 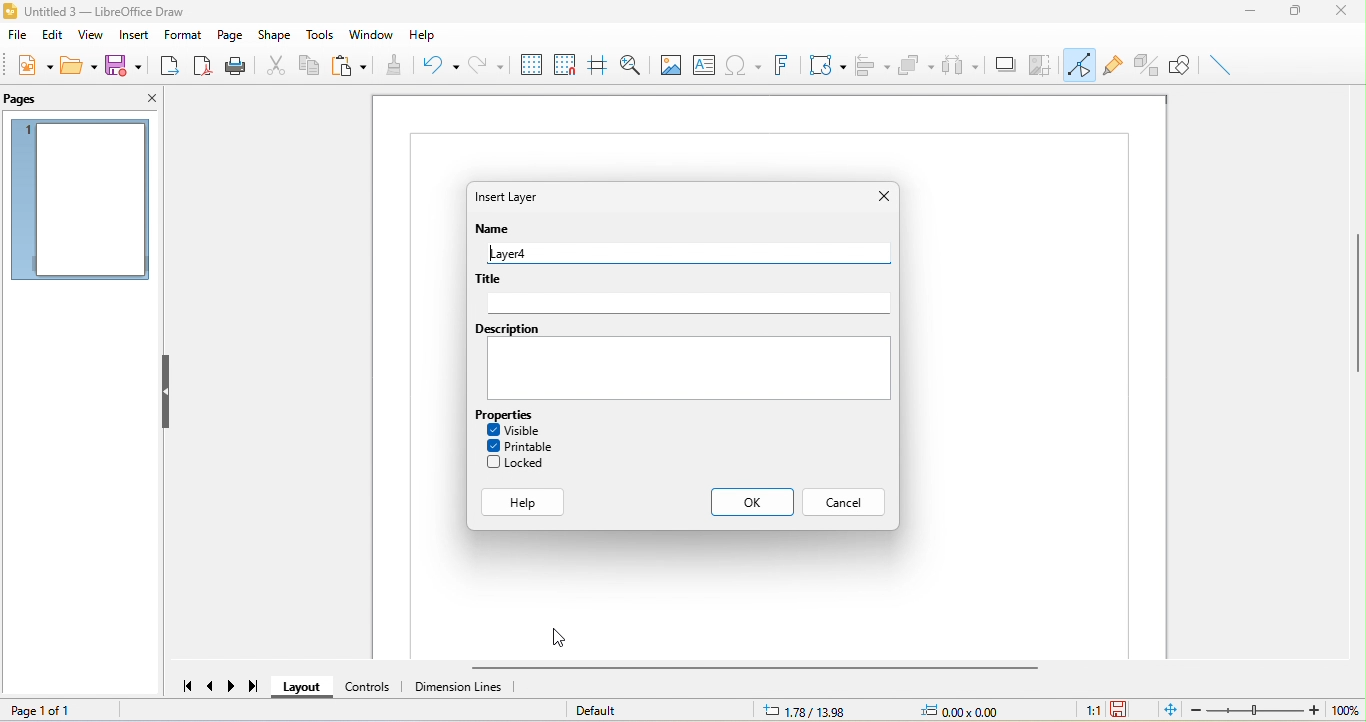 I want to click on arrange, so click(x=917, y=64).